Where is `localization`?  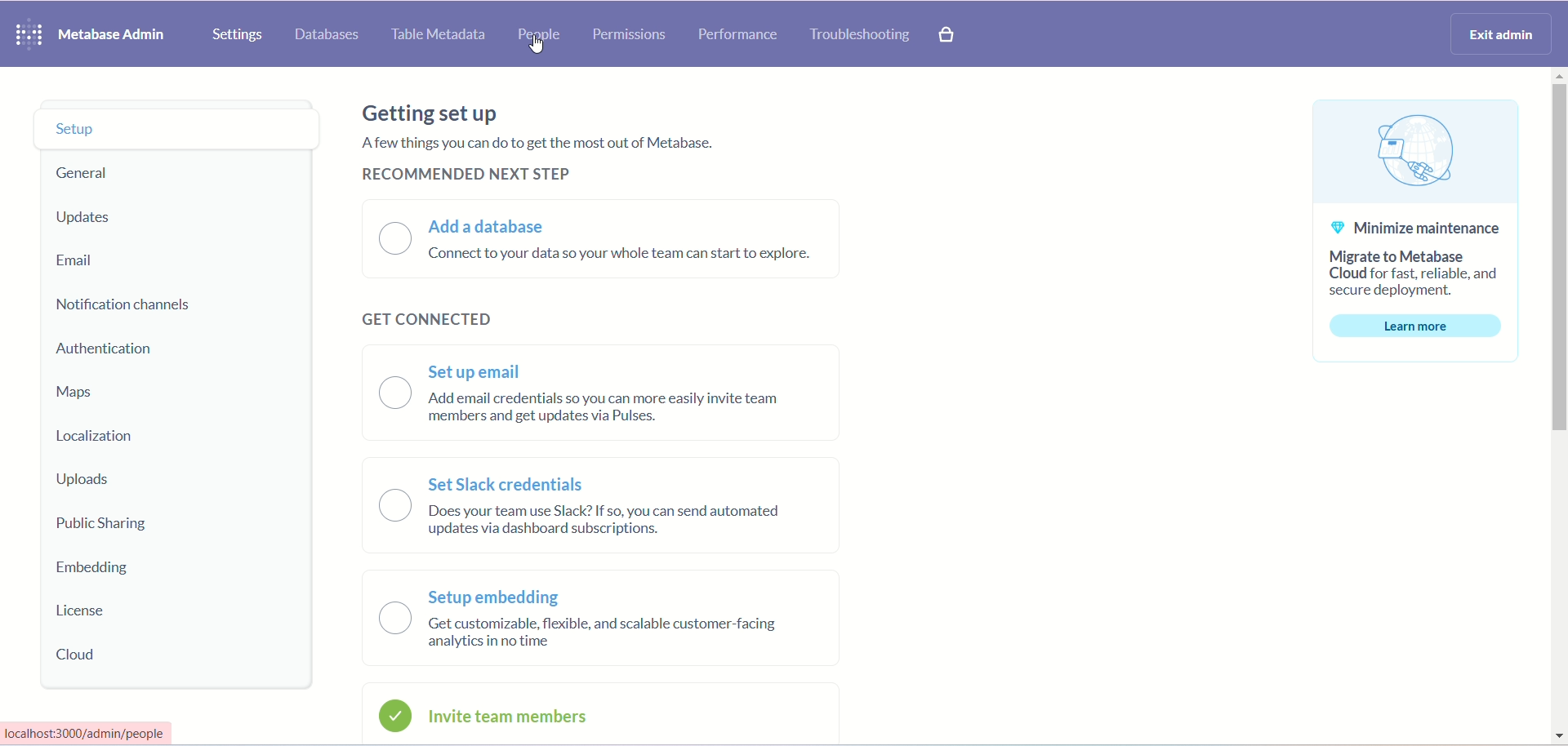 localization is located at coordinates (109, 434).